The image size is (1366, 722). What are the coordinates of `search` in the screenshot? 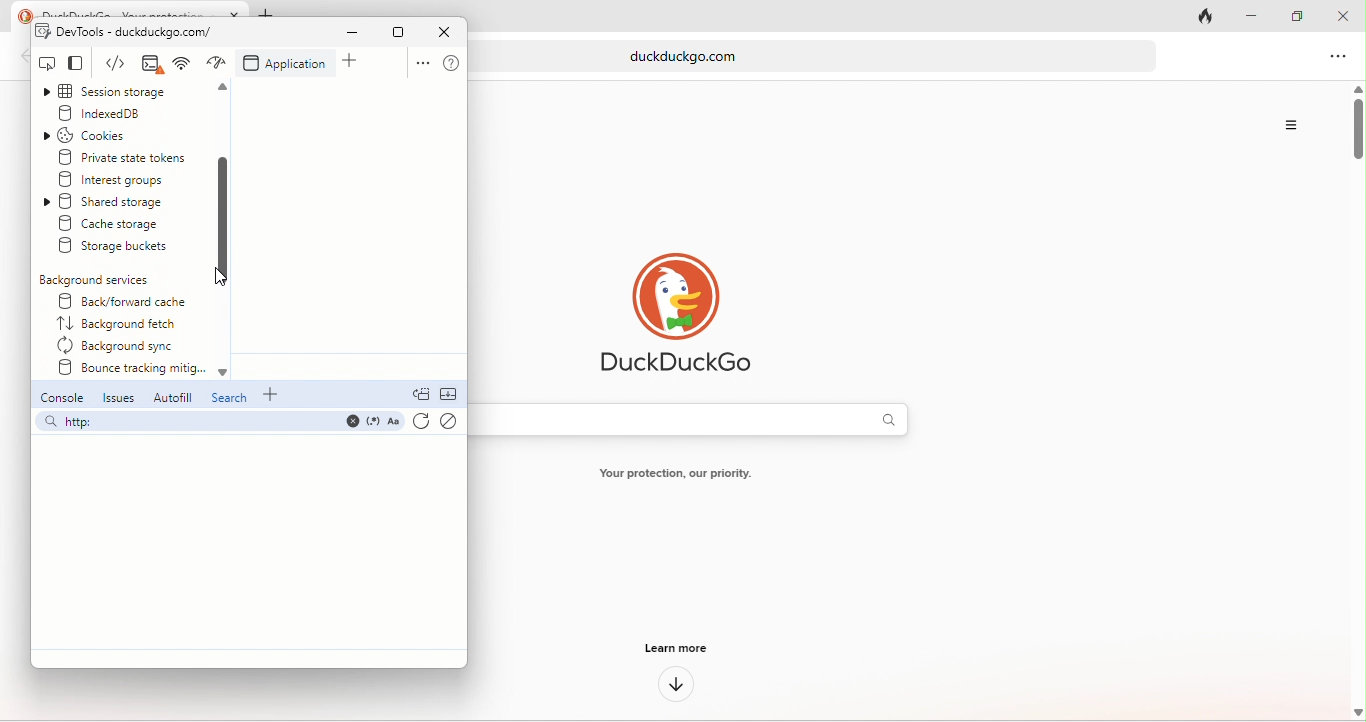 It's located at (229, 400).